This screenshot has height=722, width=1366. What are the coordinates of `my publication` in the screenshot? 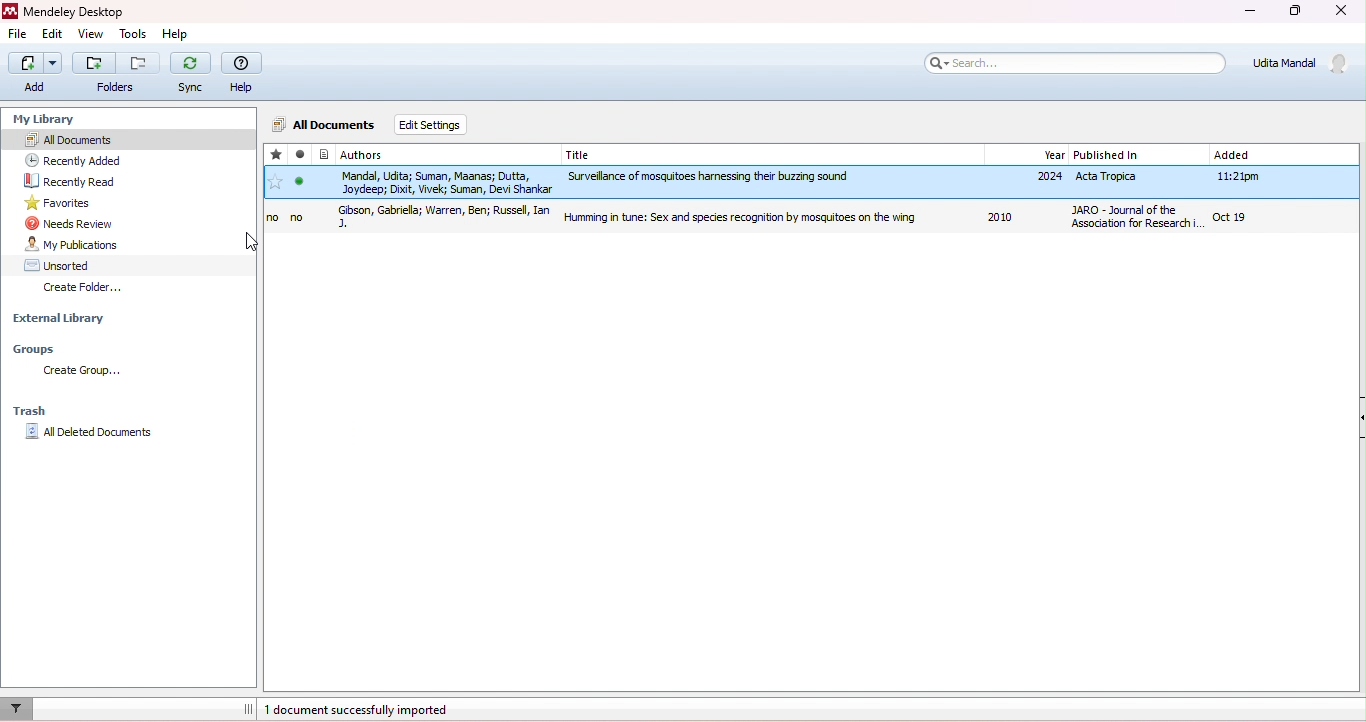 It's located at (71, 244).